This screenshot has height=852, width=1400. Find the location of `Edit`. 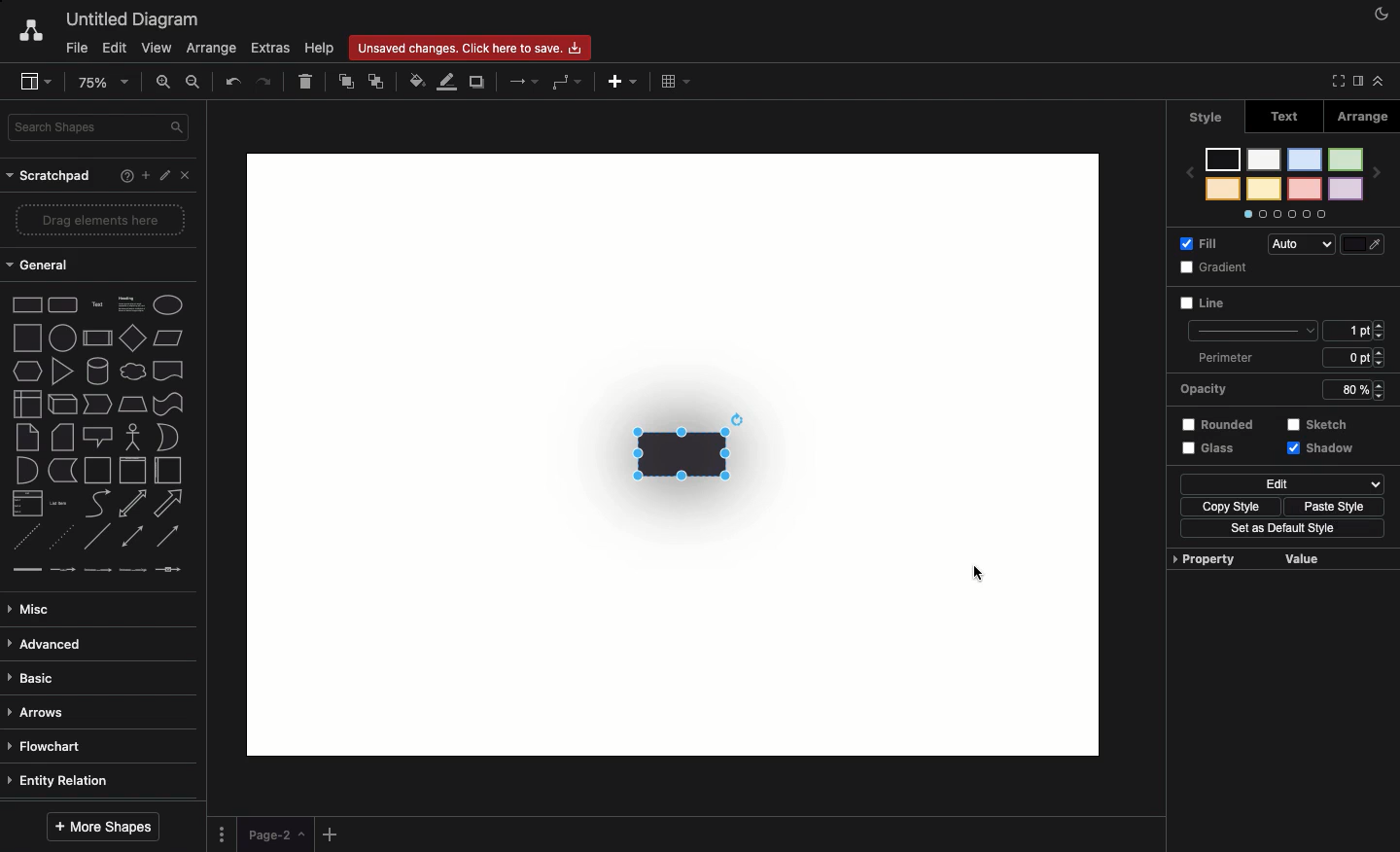

Edit is located at coordinates (162, 175).